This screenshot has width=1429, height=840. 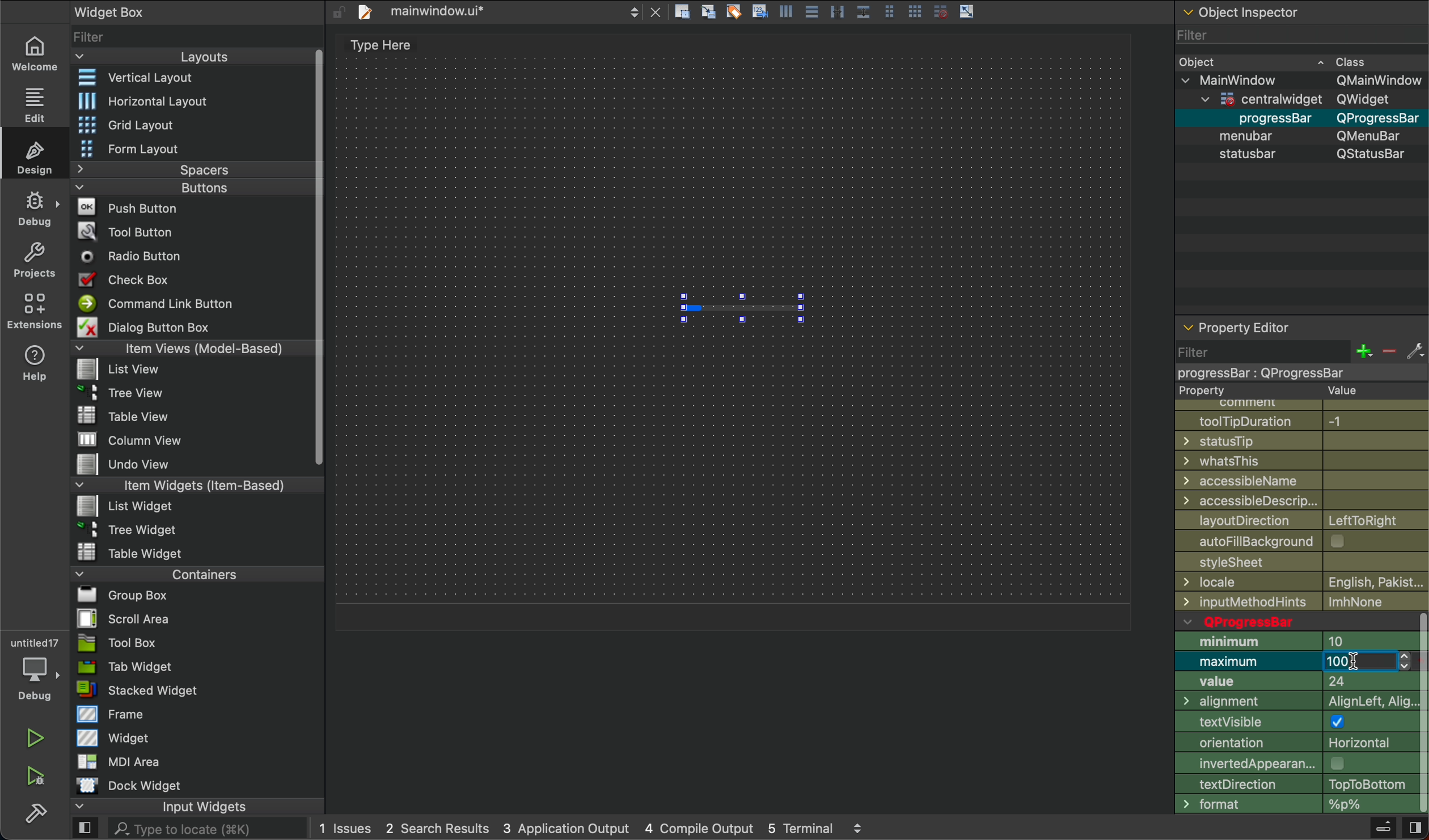 What do you see at coordinates (1366, 664) in the screenshot?
I see `number input` at bounding box center [1366, 664].